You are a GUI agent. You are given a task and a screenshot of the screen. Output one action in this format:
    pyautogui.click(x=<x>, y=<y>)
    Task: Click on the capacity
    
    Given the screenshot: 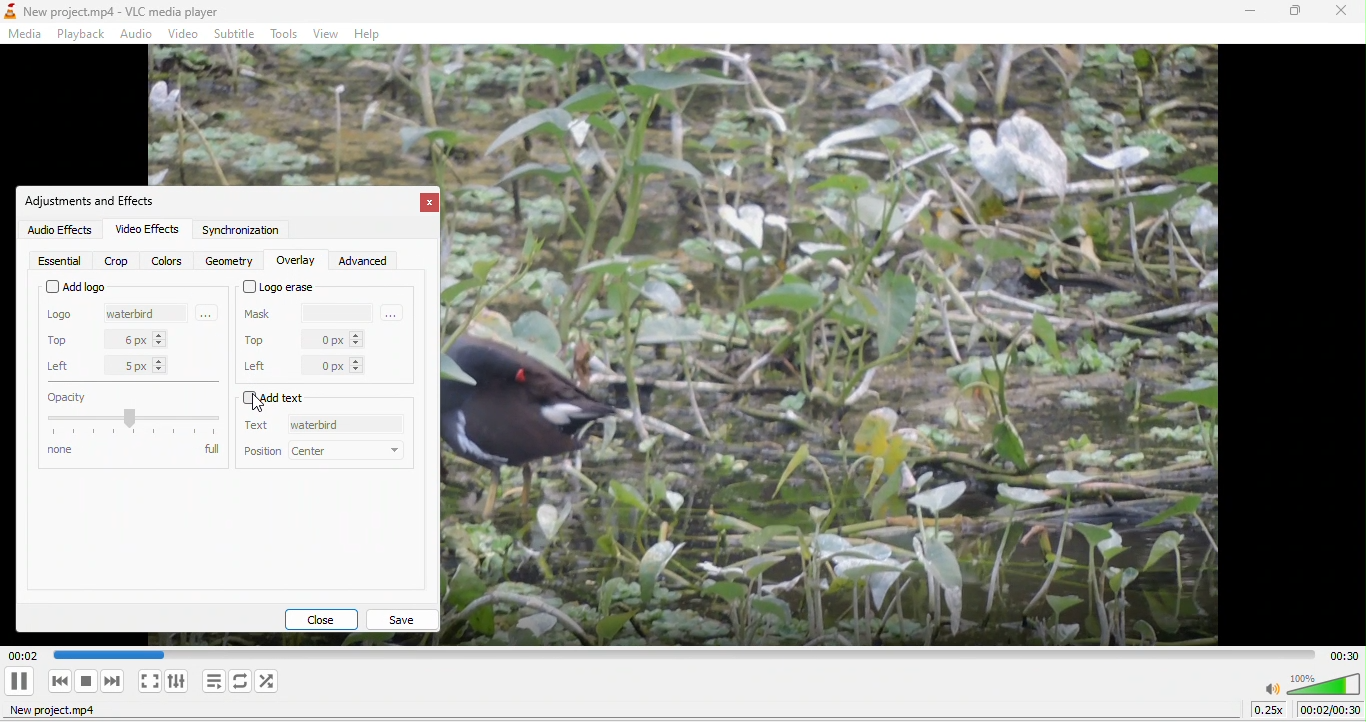 What is the action you would take?
    pyautogui.click(x=134, y=415)
    